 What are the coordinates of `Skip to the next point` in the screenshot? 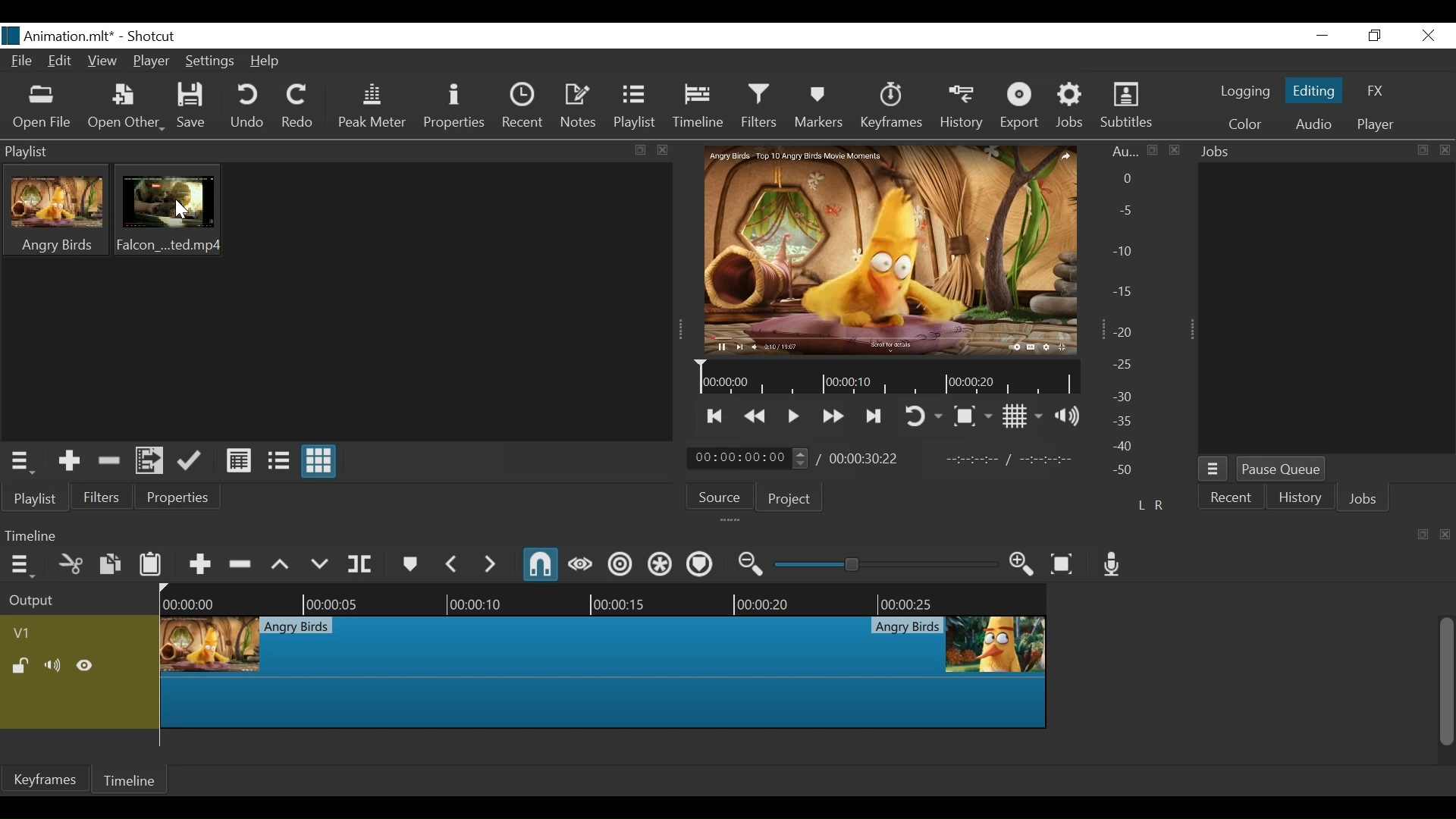 It's located at (875, 418).